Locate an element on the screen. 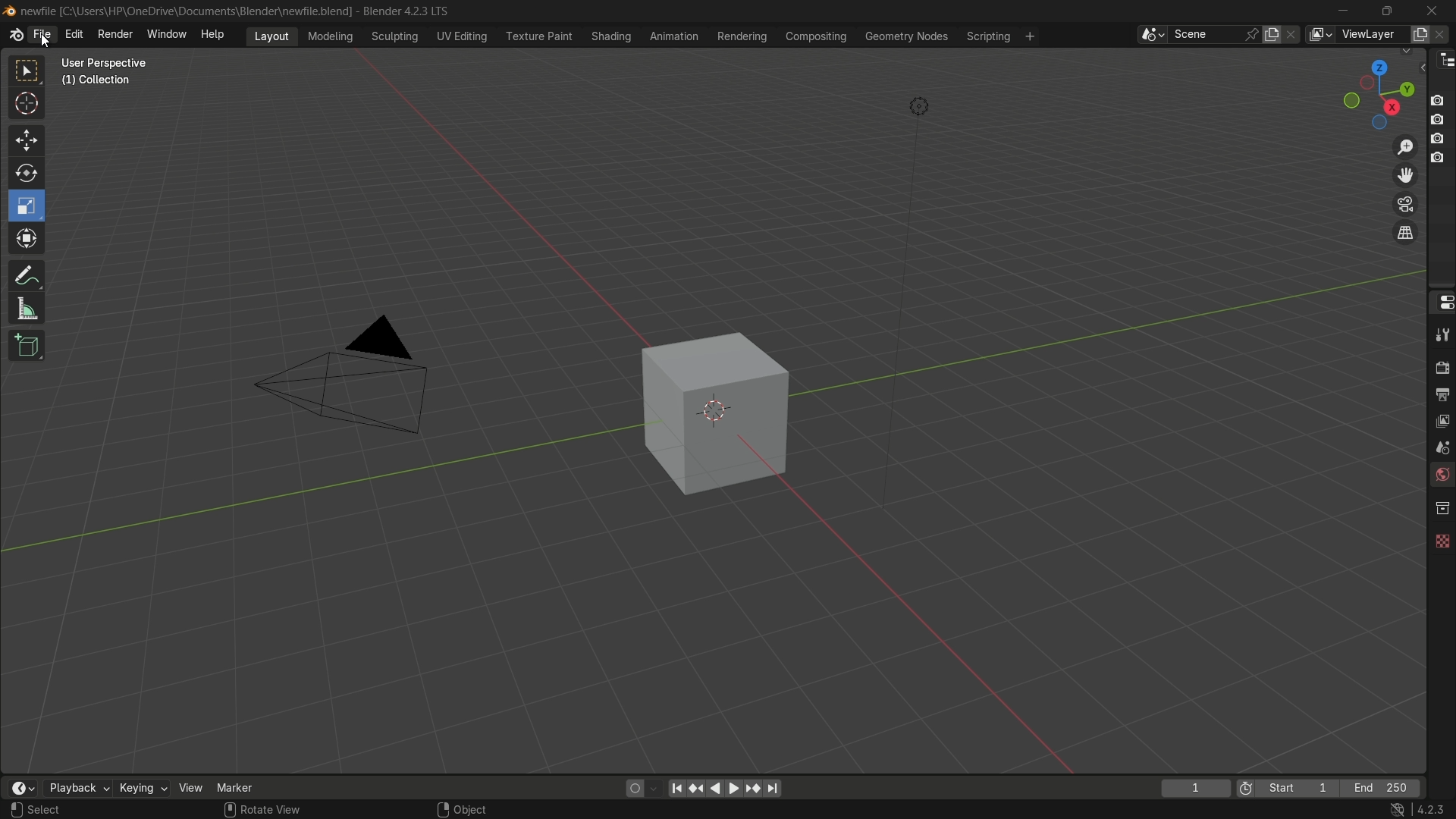 The width and height of the screenshot is (1456, 819). playback is located at coordinates (77, 788).